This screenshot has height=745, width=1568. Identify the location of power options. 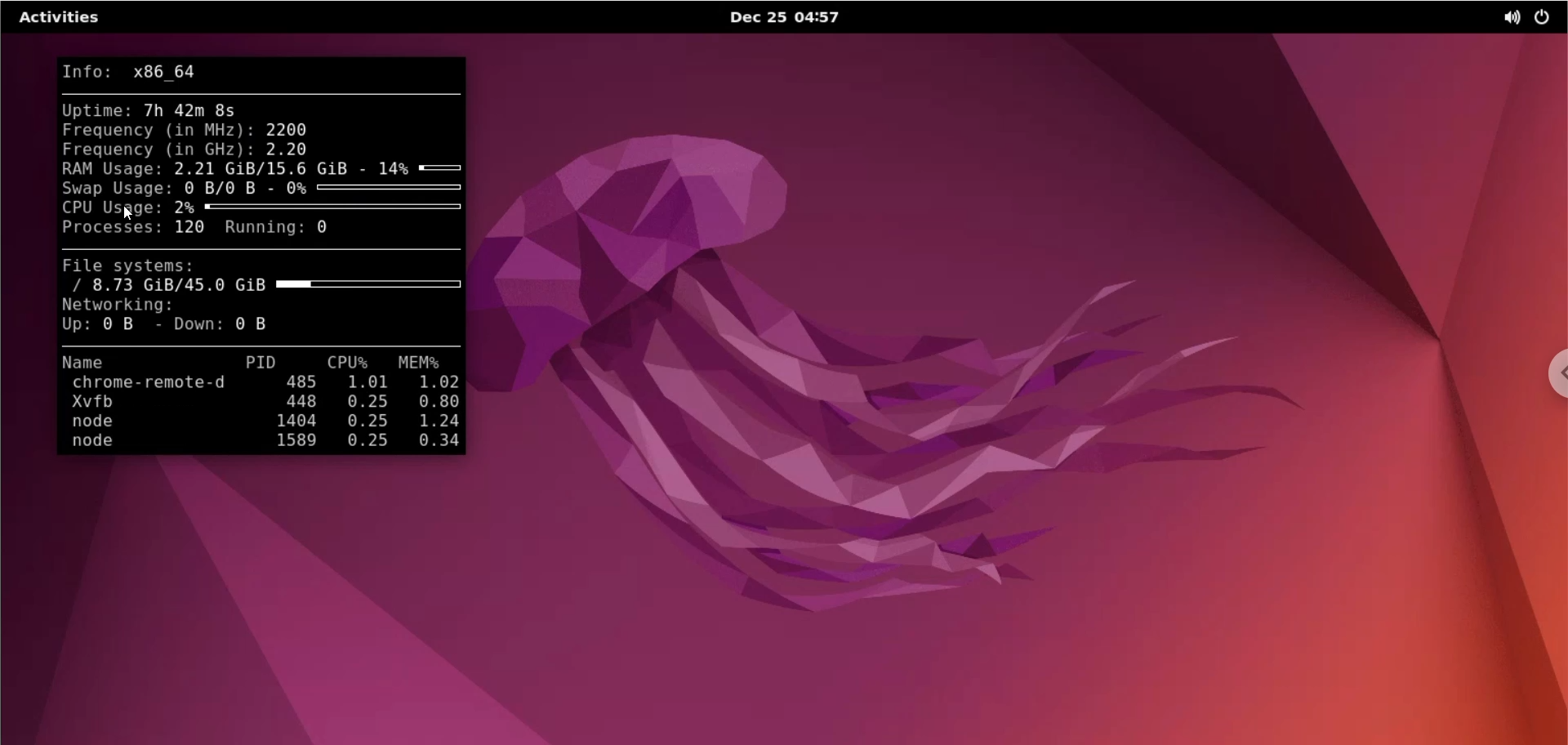
(1548, 19).